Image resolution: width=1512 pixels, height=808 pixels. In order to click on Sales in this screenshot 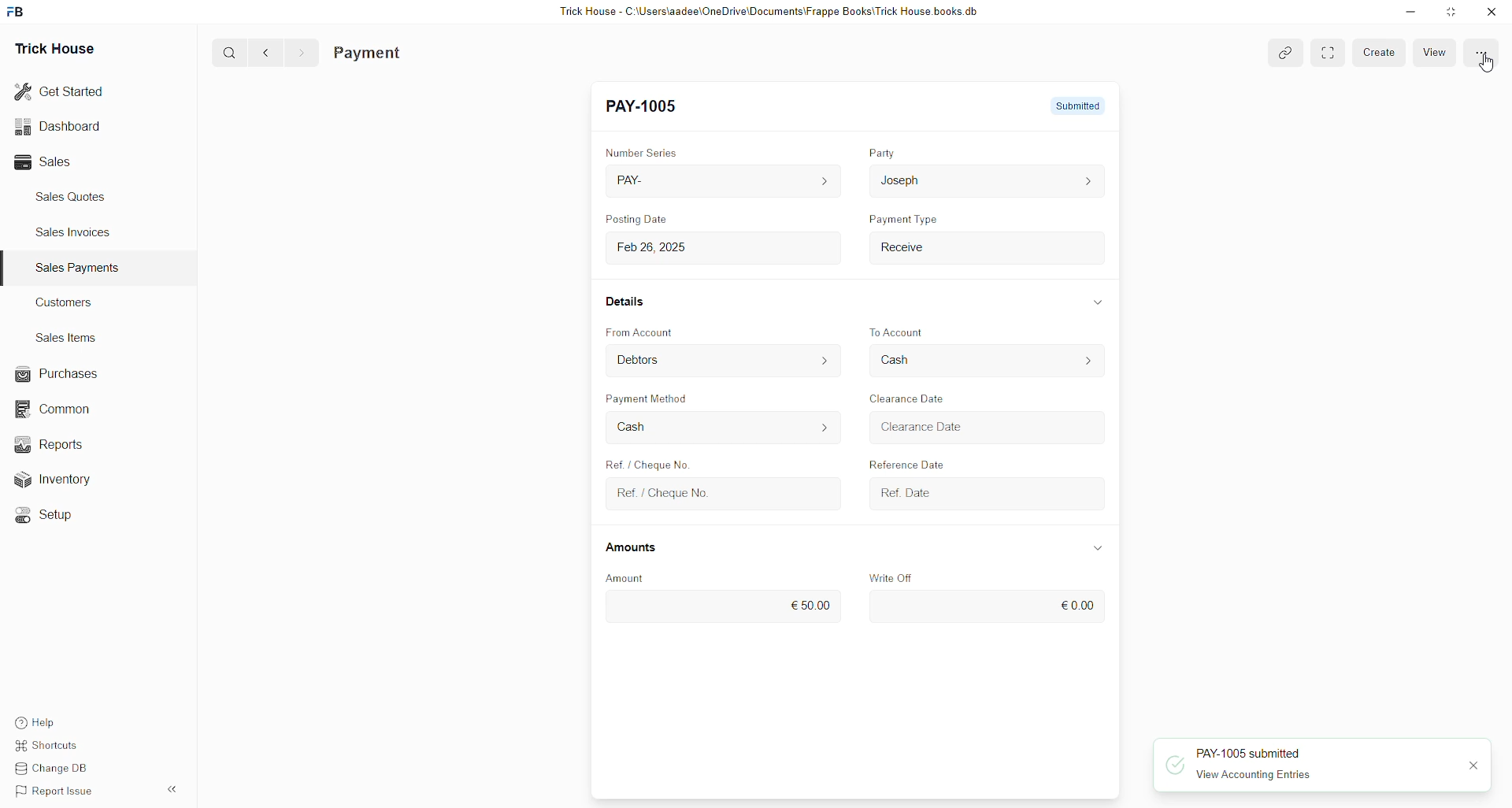, I will do `click(47, 162)`.